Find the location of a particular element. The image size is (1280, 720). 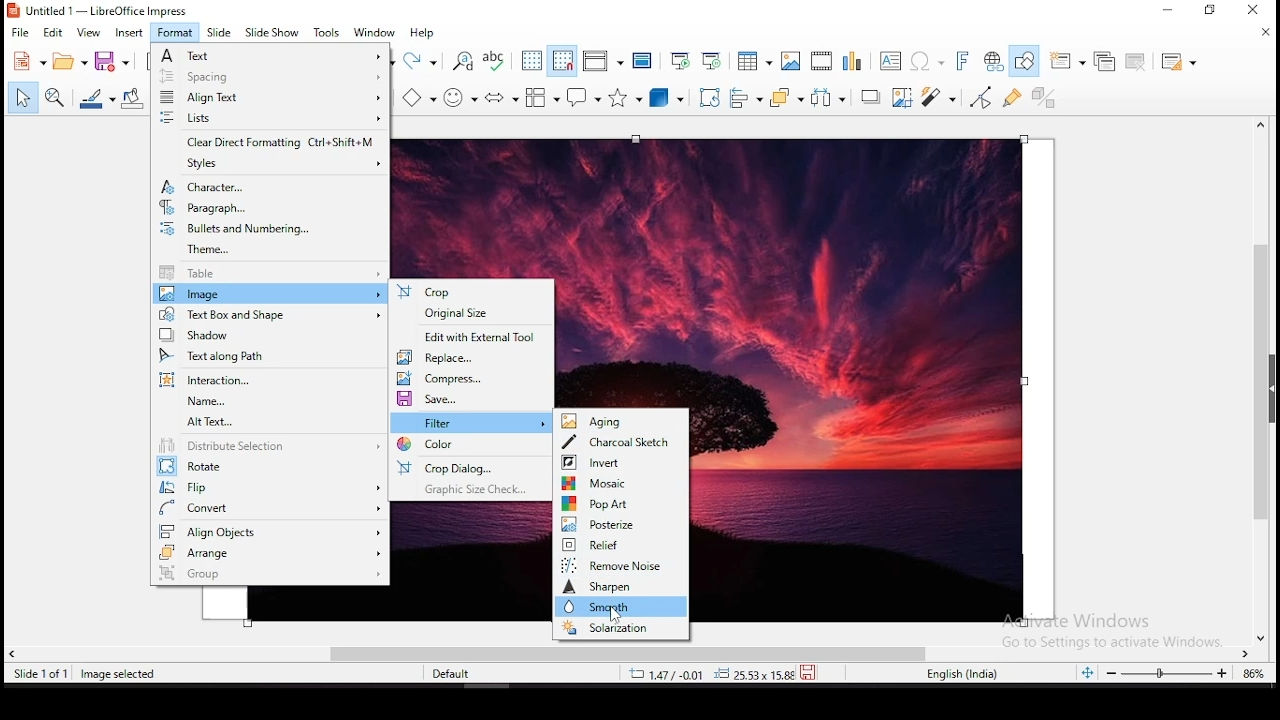

color is located at coordinates (472, 445).